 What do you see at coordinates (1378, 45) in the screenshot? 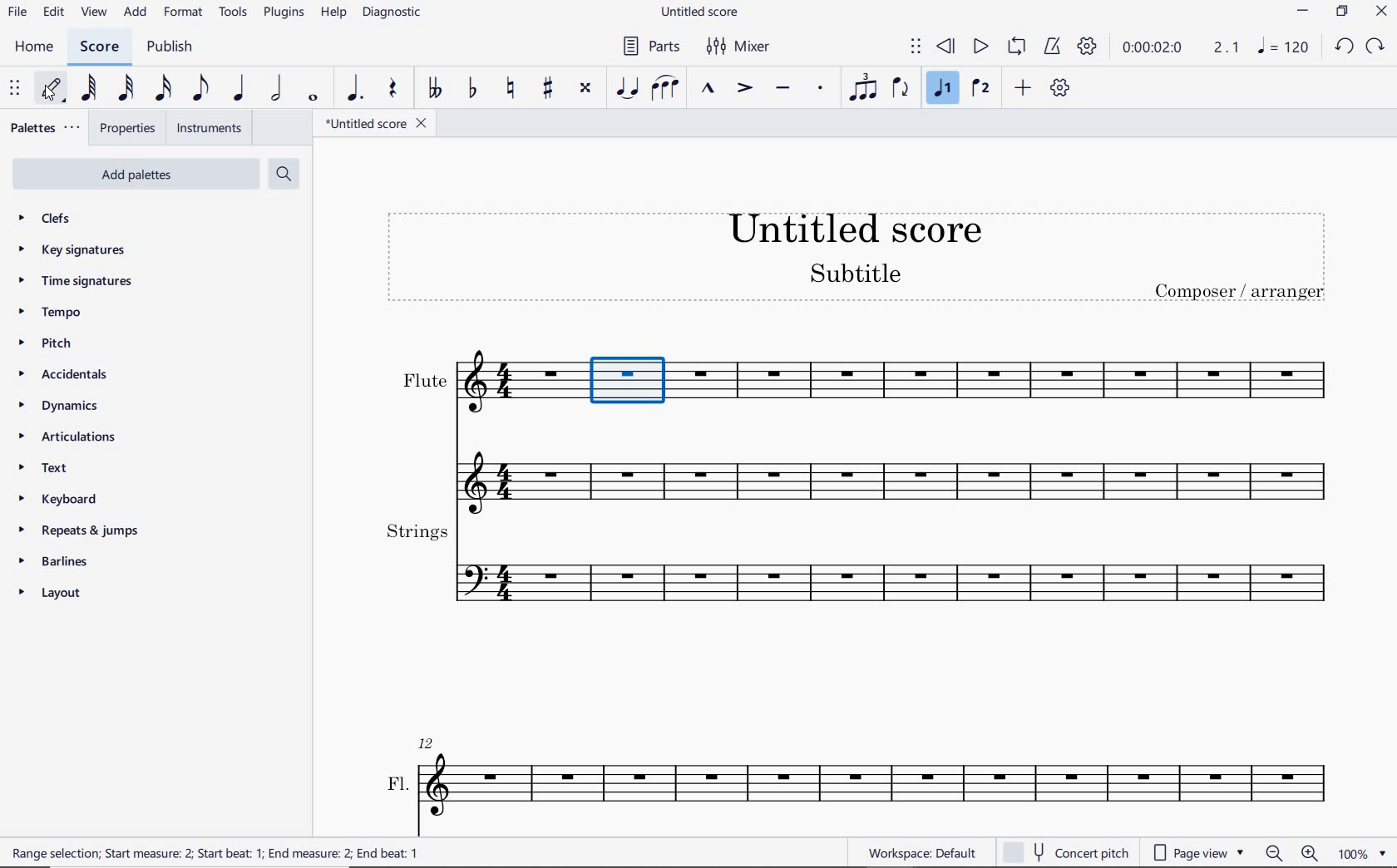
I see `redo` at bounding box center [1378, 45].